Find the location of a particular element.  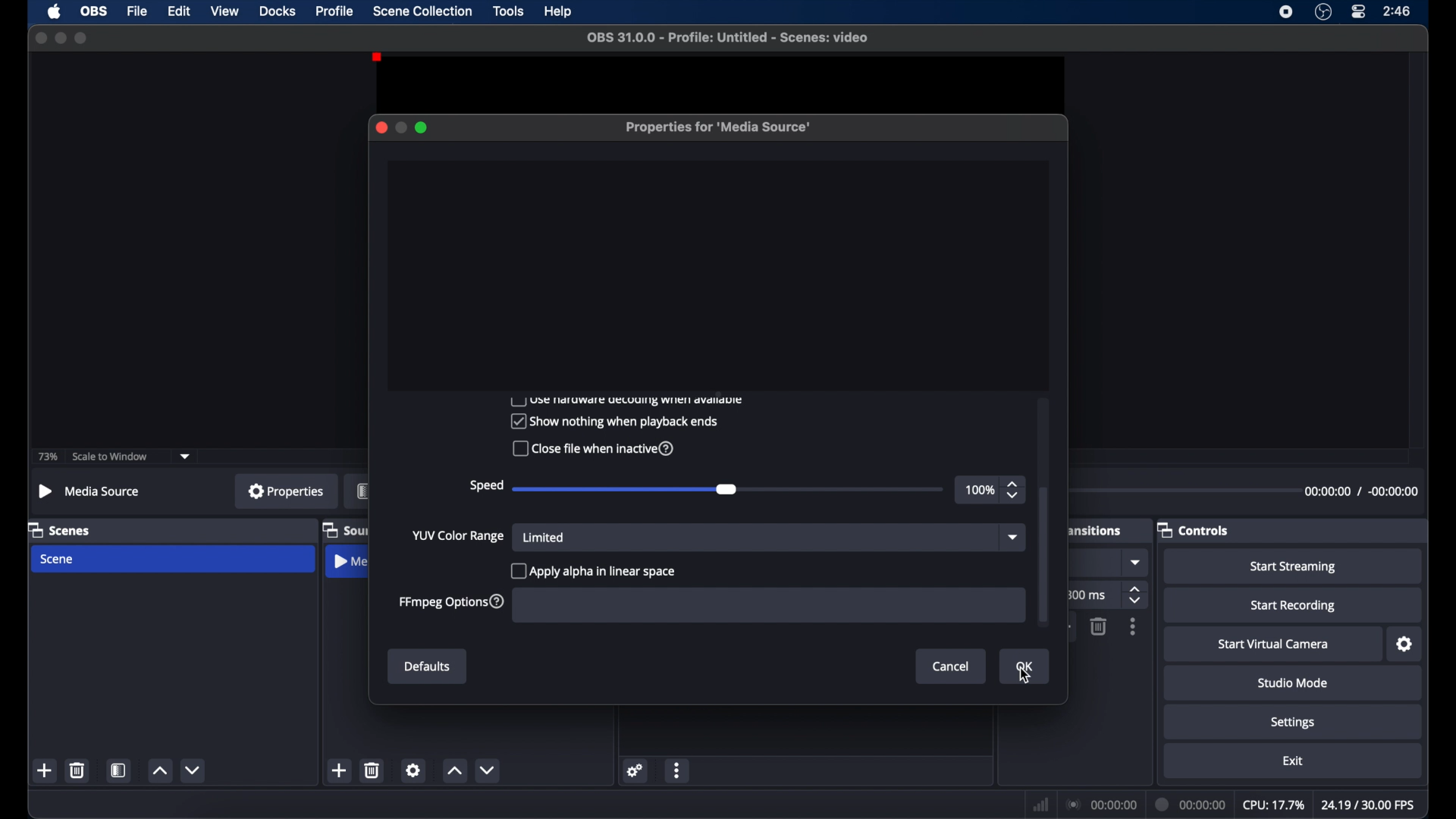

delete is located at coordinates (1097, 626).